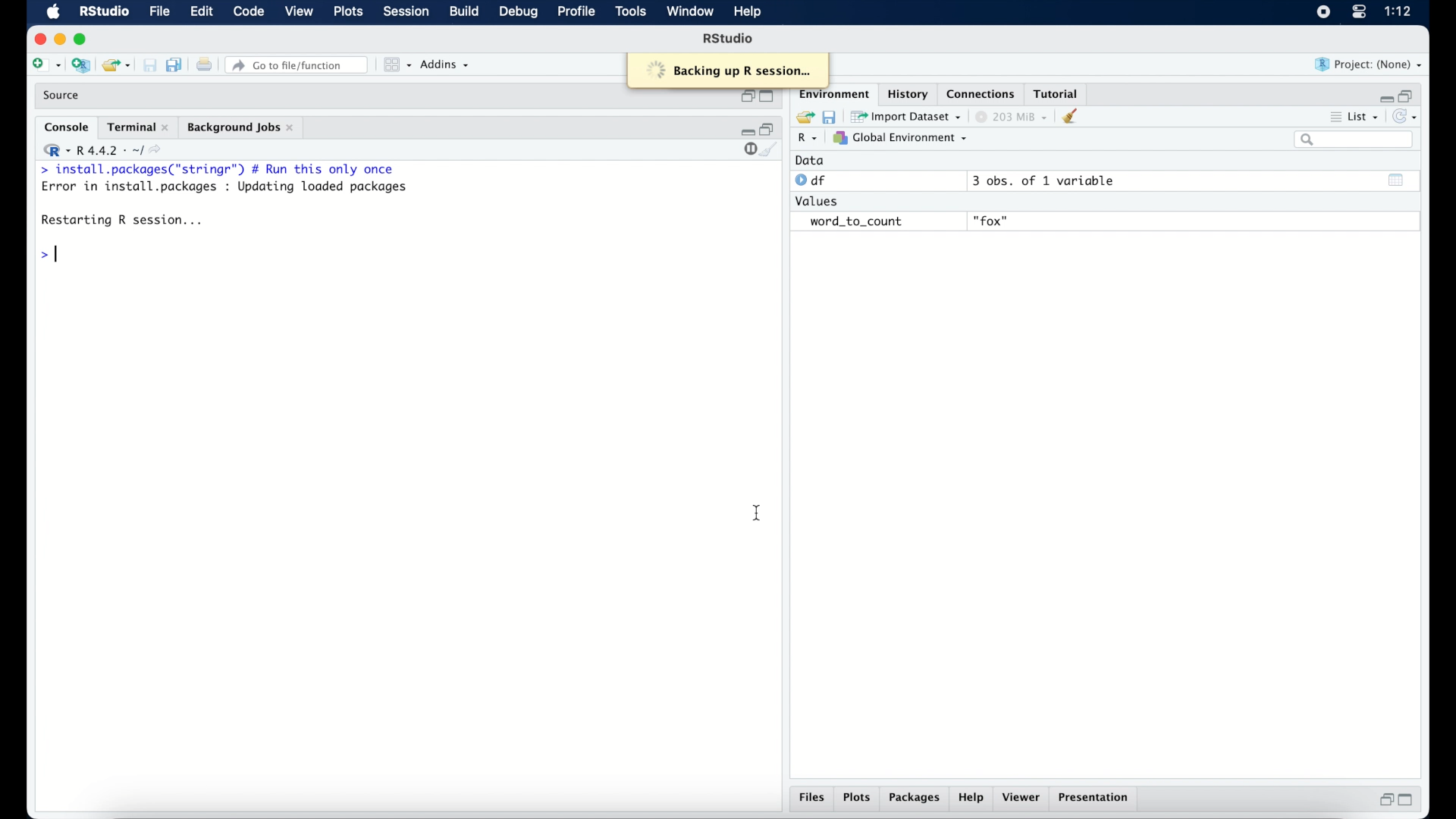  I want to click on print, so click(204, 66).